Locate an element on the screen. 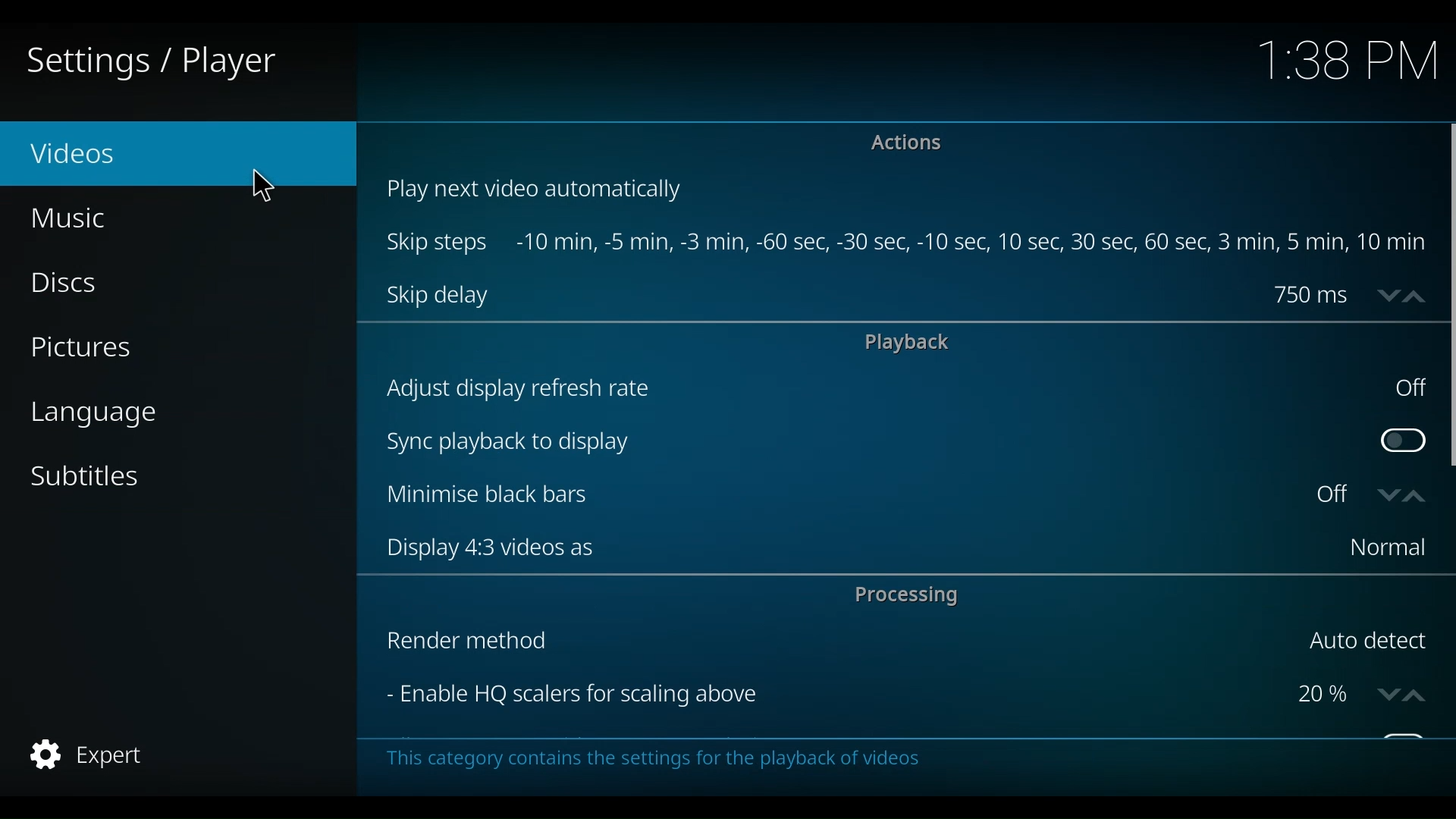  Actions is located at coordinates (906, 143).